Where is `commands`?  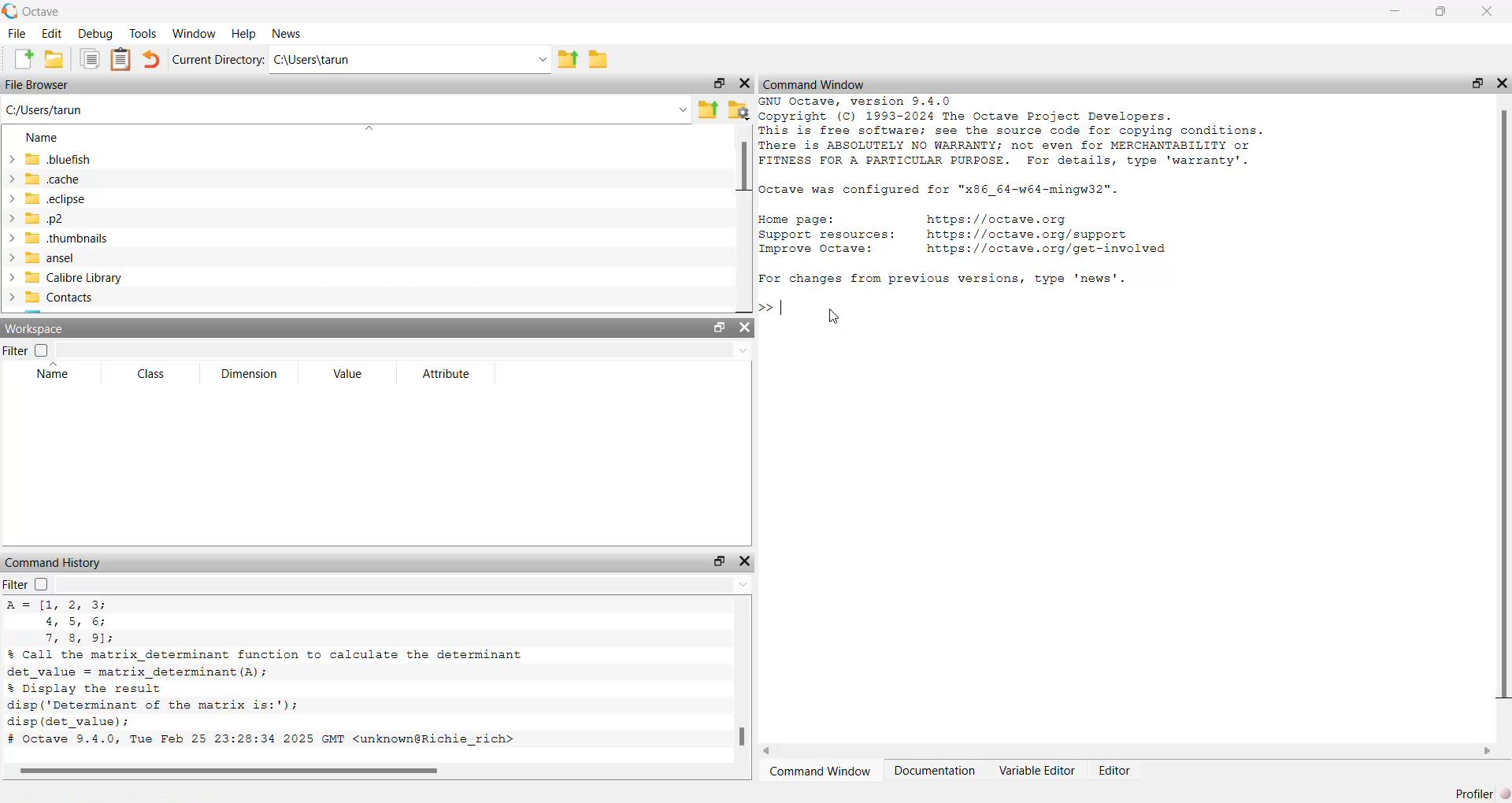
commands is located at coordinates (1026, 230).